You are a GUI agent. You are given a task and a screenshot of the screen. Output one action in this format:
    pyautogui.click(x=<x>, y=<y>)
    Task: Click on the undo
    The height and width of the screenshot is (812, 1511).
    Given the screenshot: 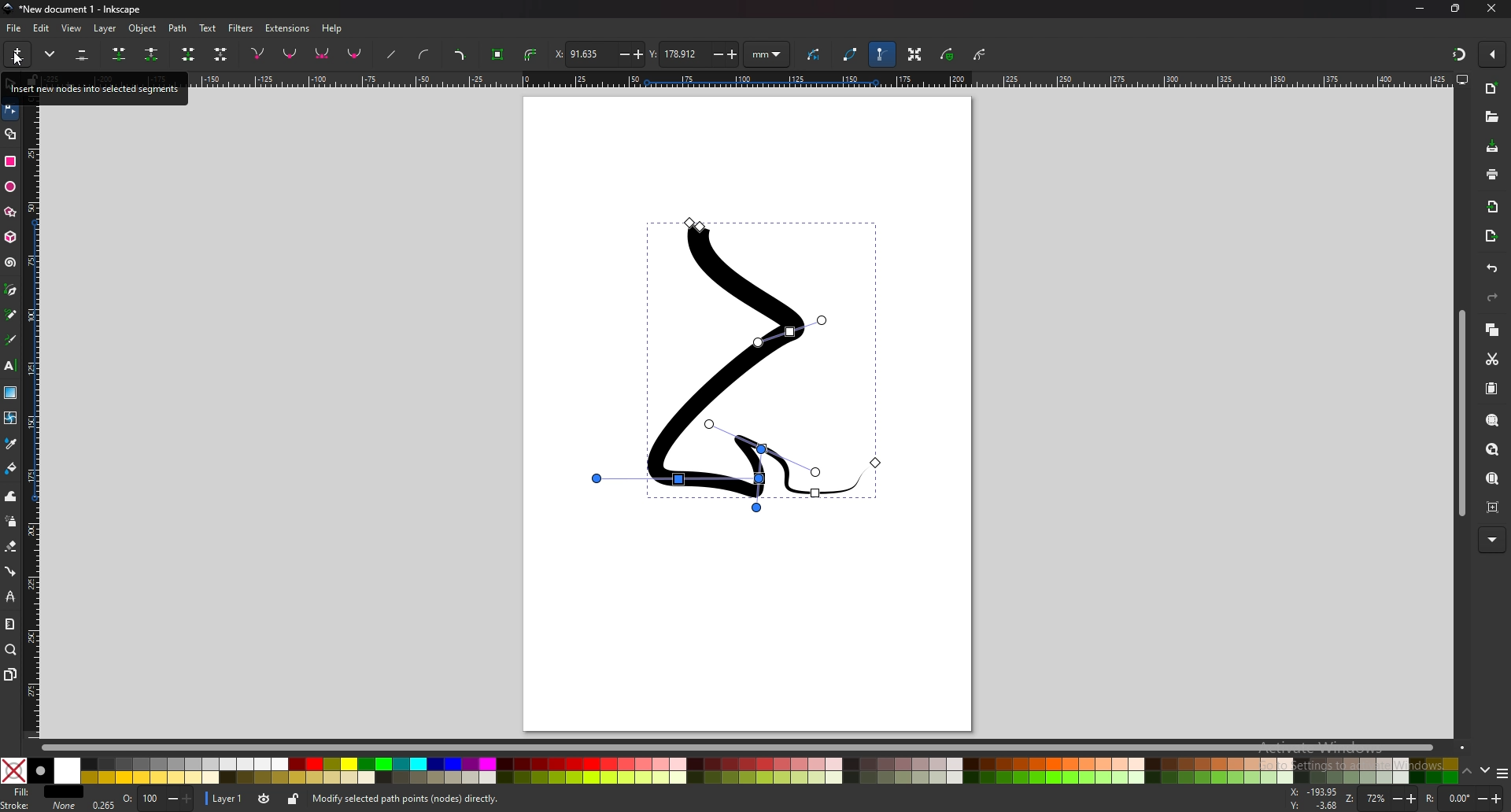 What is the action you would take?
    pyautogui.click(x=1493, y=269)
    